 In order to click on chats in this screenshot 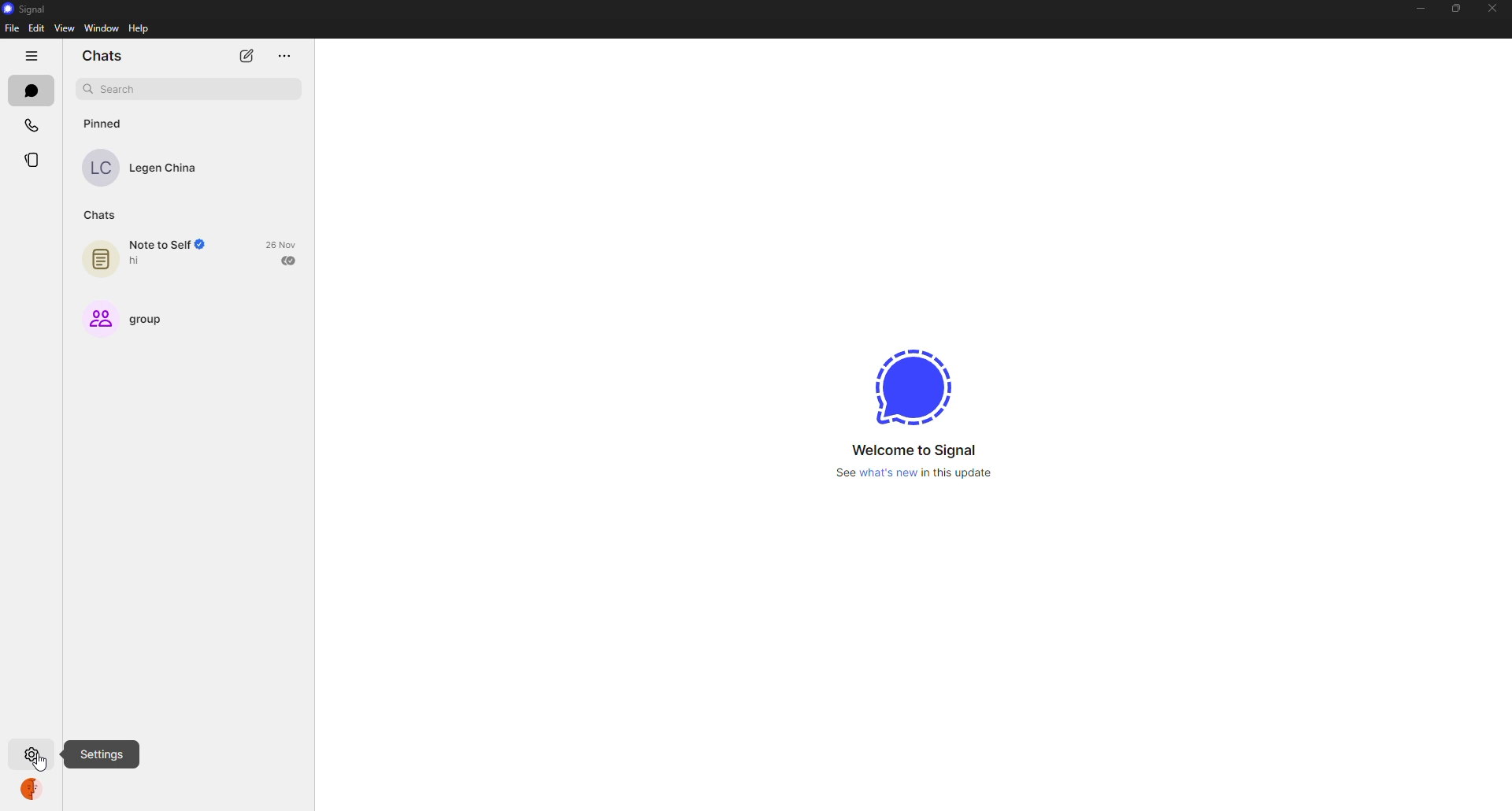, I will do `click(103, 55)`.